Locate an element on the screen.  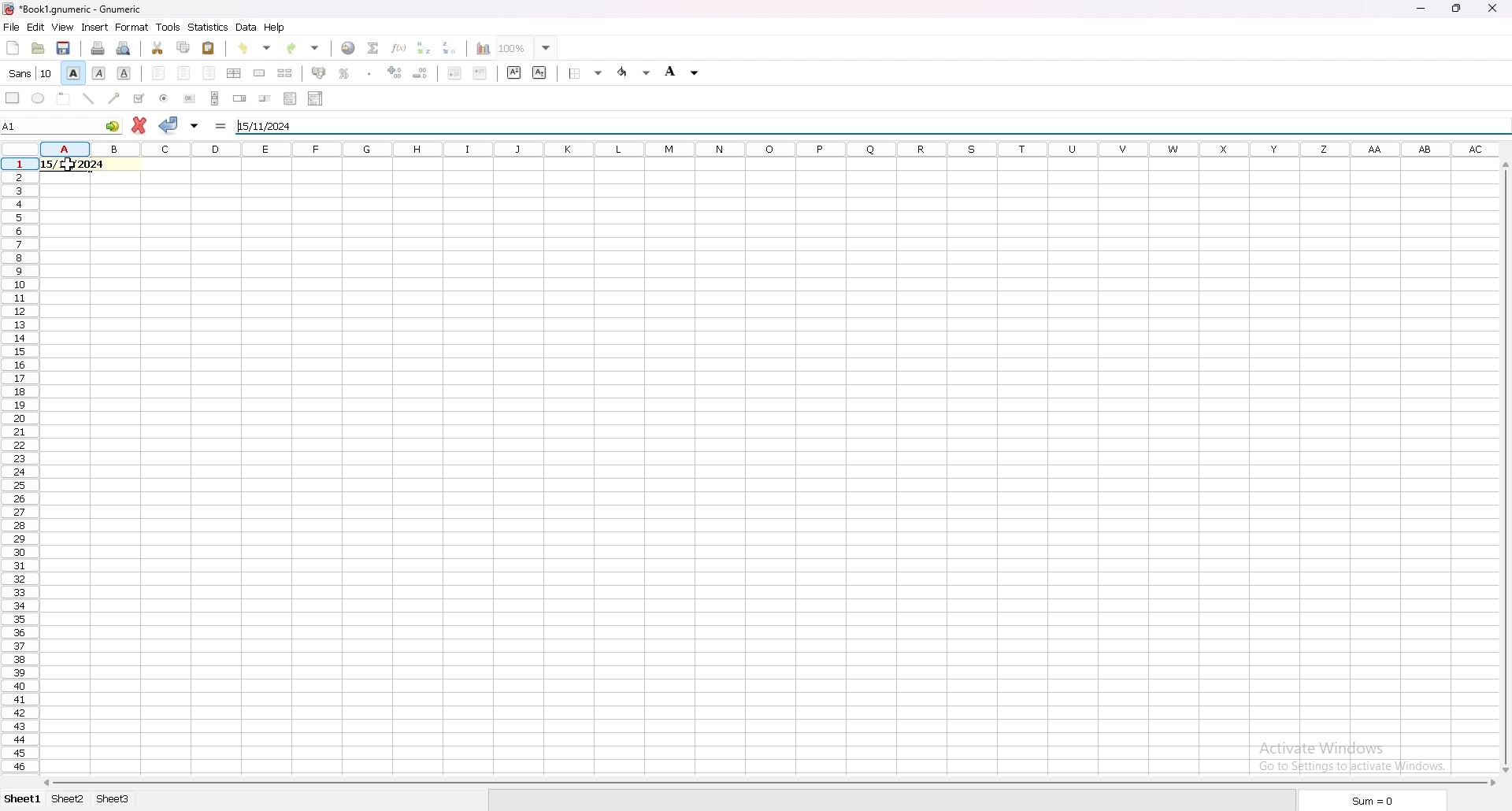
cell input is located at coordinates (265, 124).